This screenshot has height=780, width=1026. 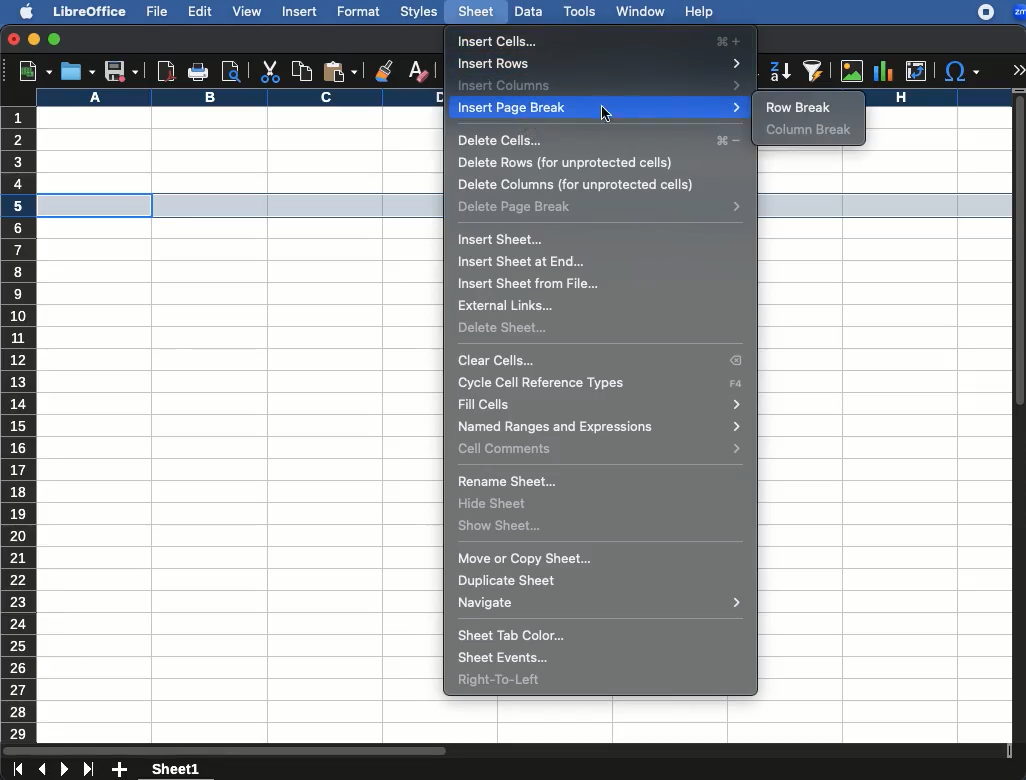 What do you see at coordinates (602, 604) in the screenshot?
I see `navigate` at bounding box center [602, 604].